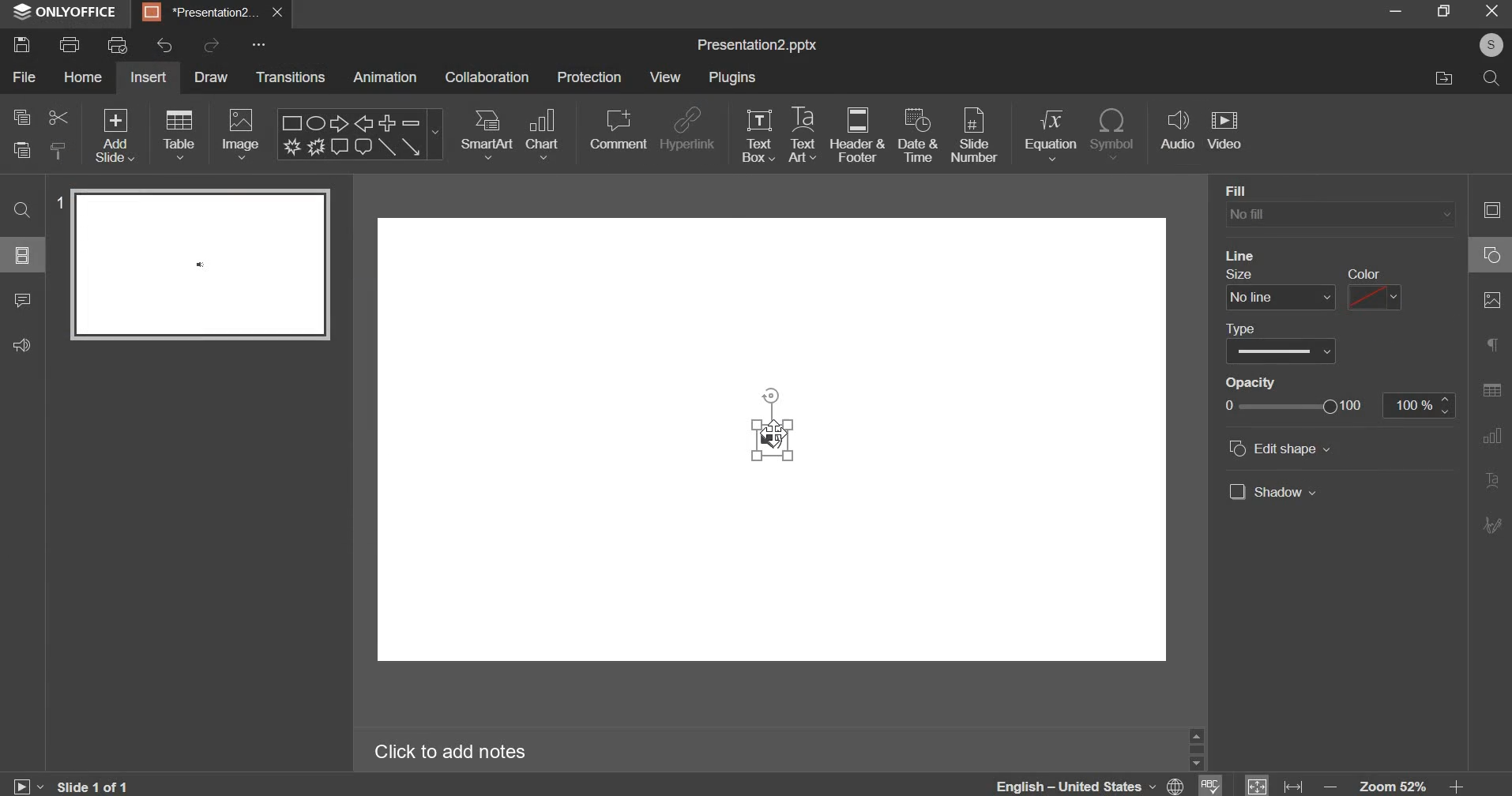 The image size is (1512, 796). What do you see at coordinates (774, 433) in the screenshot?
I see `cursor` at bounding box center [774, 433].